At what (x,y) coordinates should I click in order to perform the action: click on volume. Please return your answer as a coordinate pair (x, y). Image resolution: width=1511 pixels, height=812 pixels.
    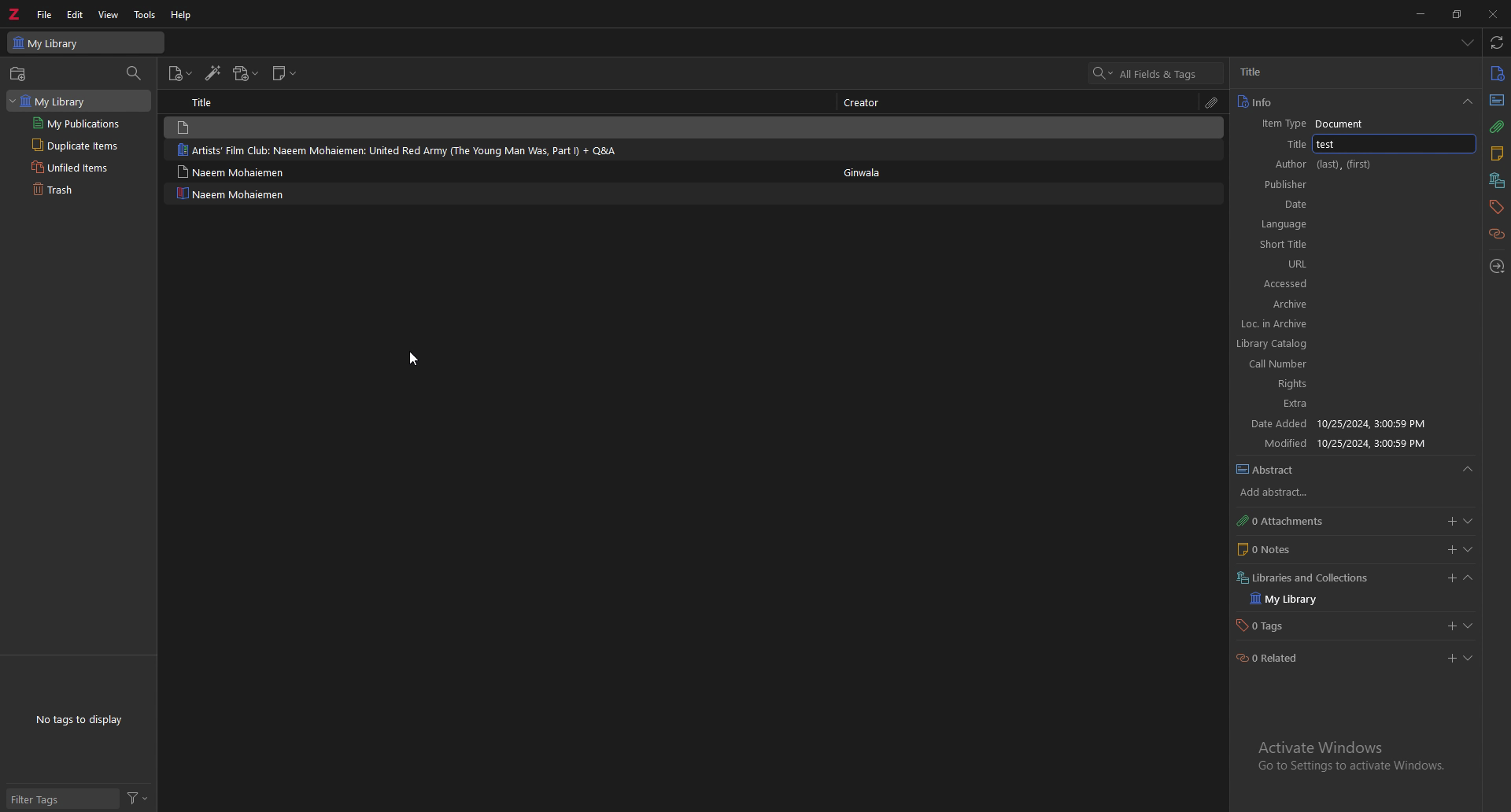
    Looking at the image, I should click on (1278, 245).